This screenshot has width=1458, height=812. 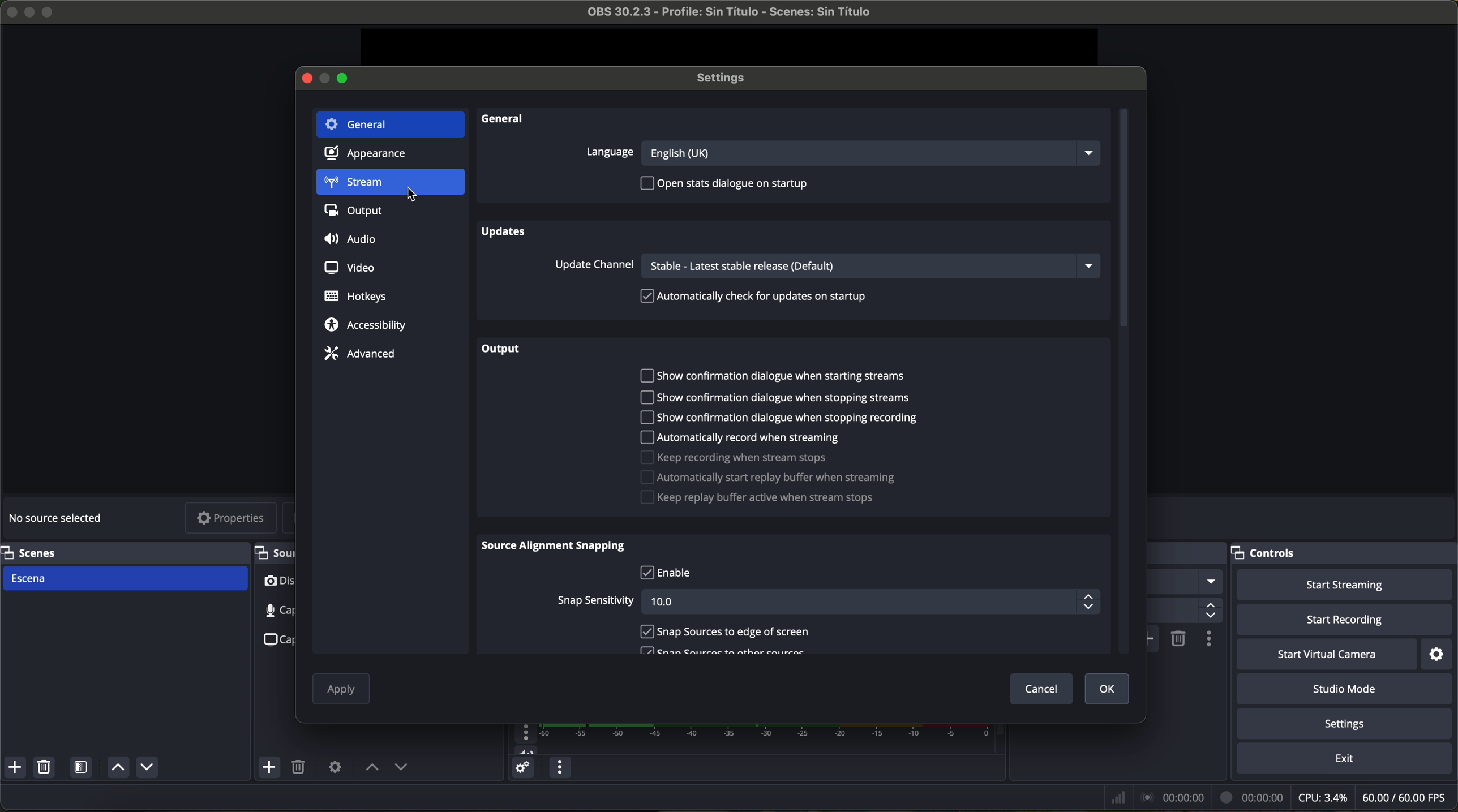 I want to click on hotkeys, so click(x=356, y=297).